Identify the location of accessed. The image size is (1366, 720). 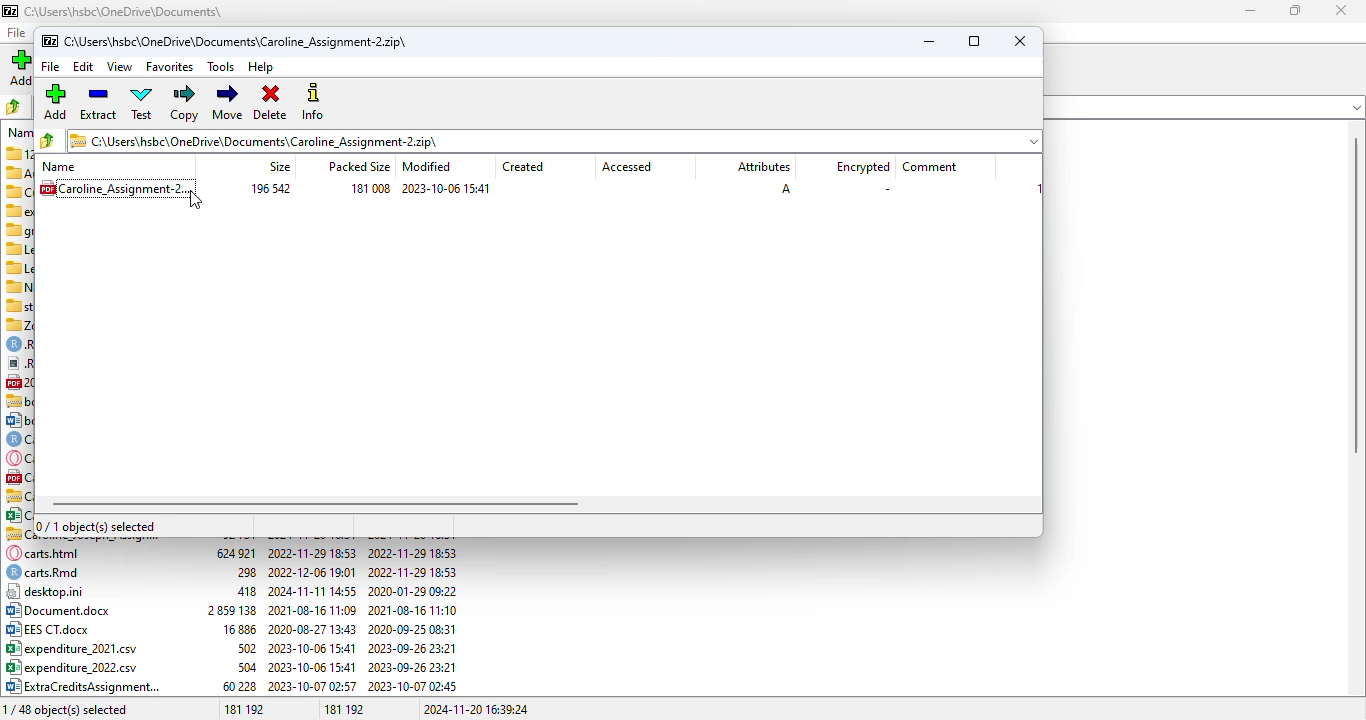
(629, 167).